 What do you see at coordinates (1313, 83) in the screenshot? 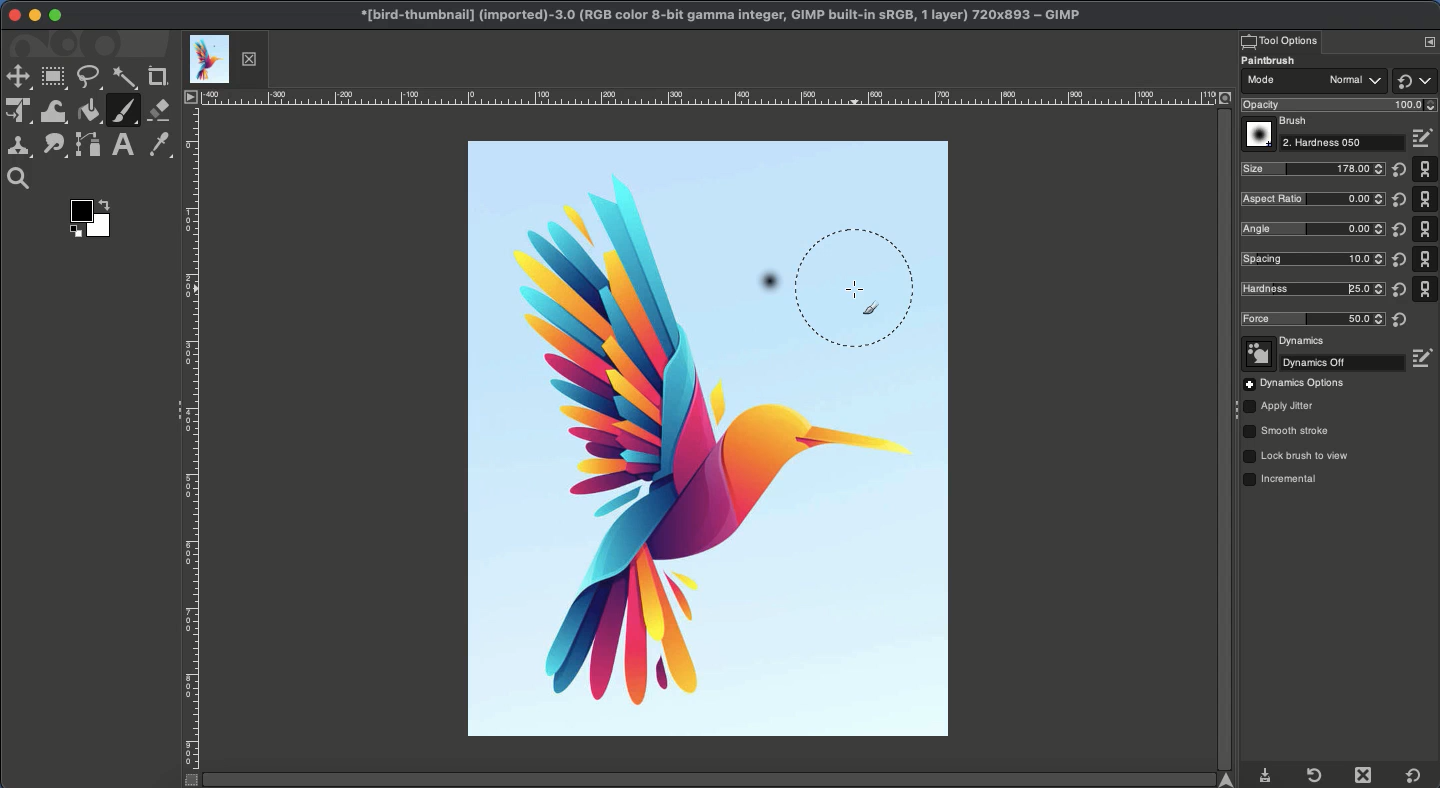
I see `Mode` at bounding box center [1313, 83].